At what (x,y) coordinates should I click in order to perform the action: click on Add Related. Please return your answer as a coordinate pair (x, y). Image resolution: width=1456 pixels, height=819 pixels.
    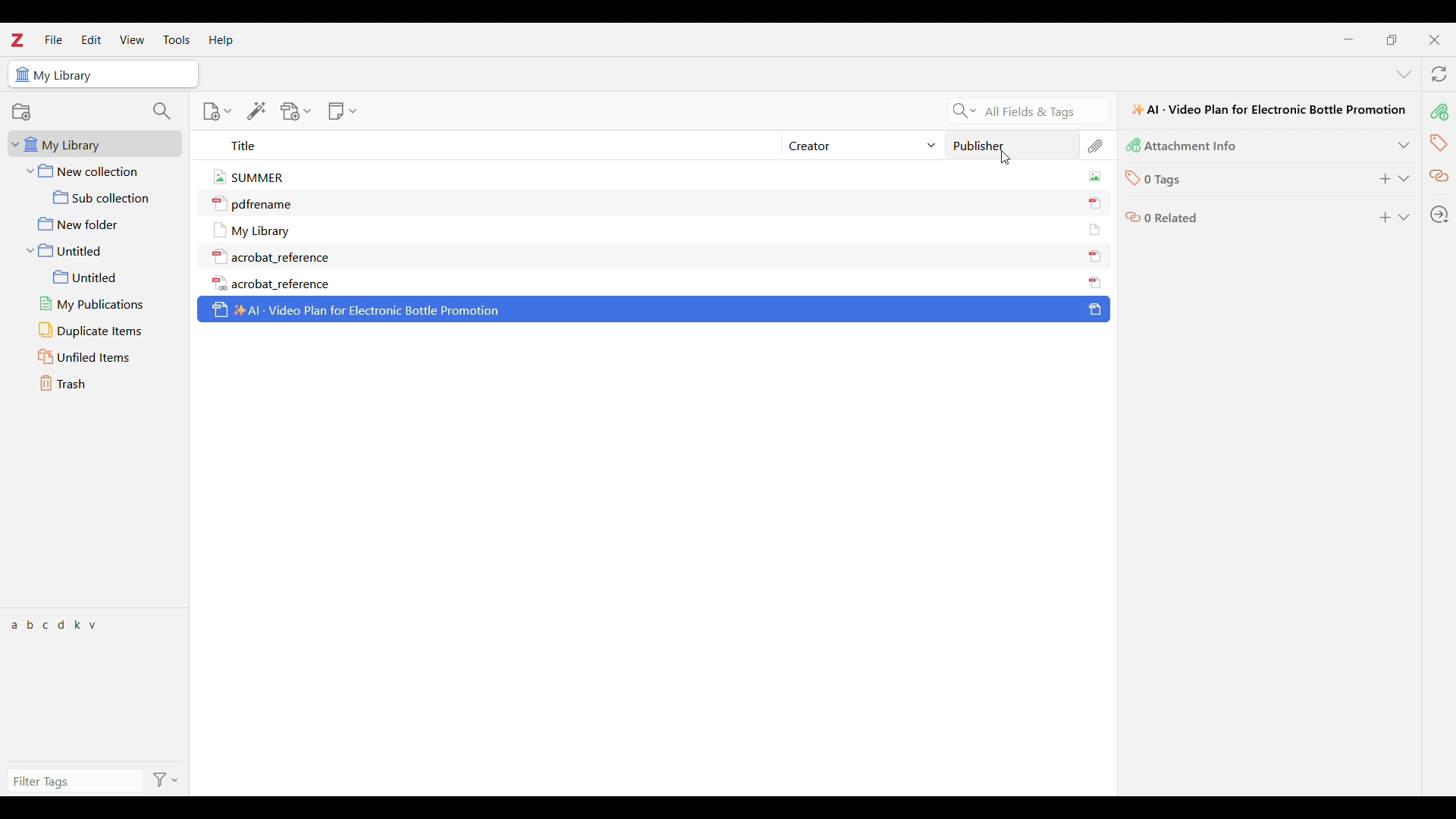
    Looking at the image, I should click on (1384, 218).